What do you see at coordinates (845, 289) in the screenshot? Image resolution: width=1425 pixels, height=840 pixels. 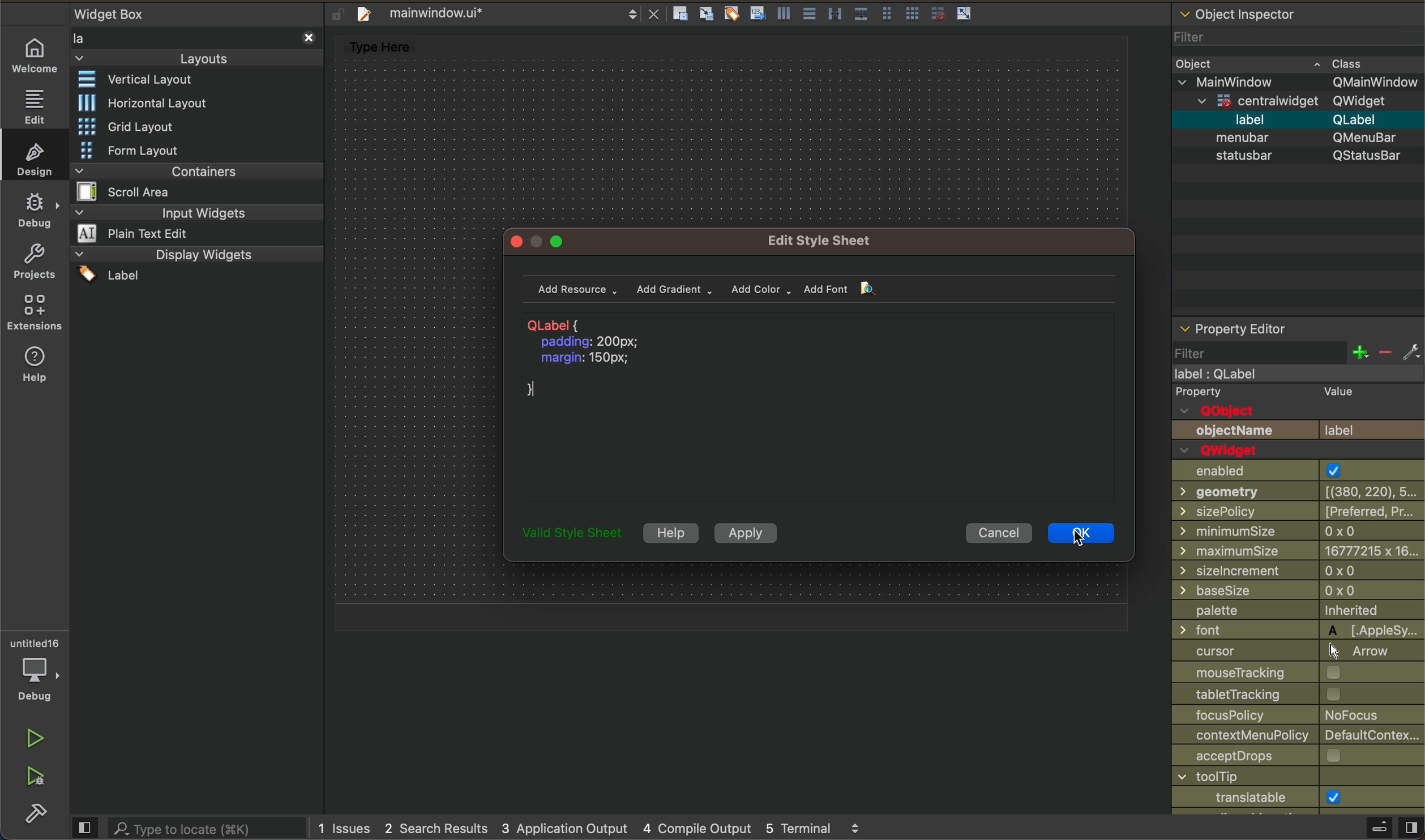 I see `add font` at bounding box center [845, 289].